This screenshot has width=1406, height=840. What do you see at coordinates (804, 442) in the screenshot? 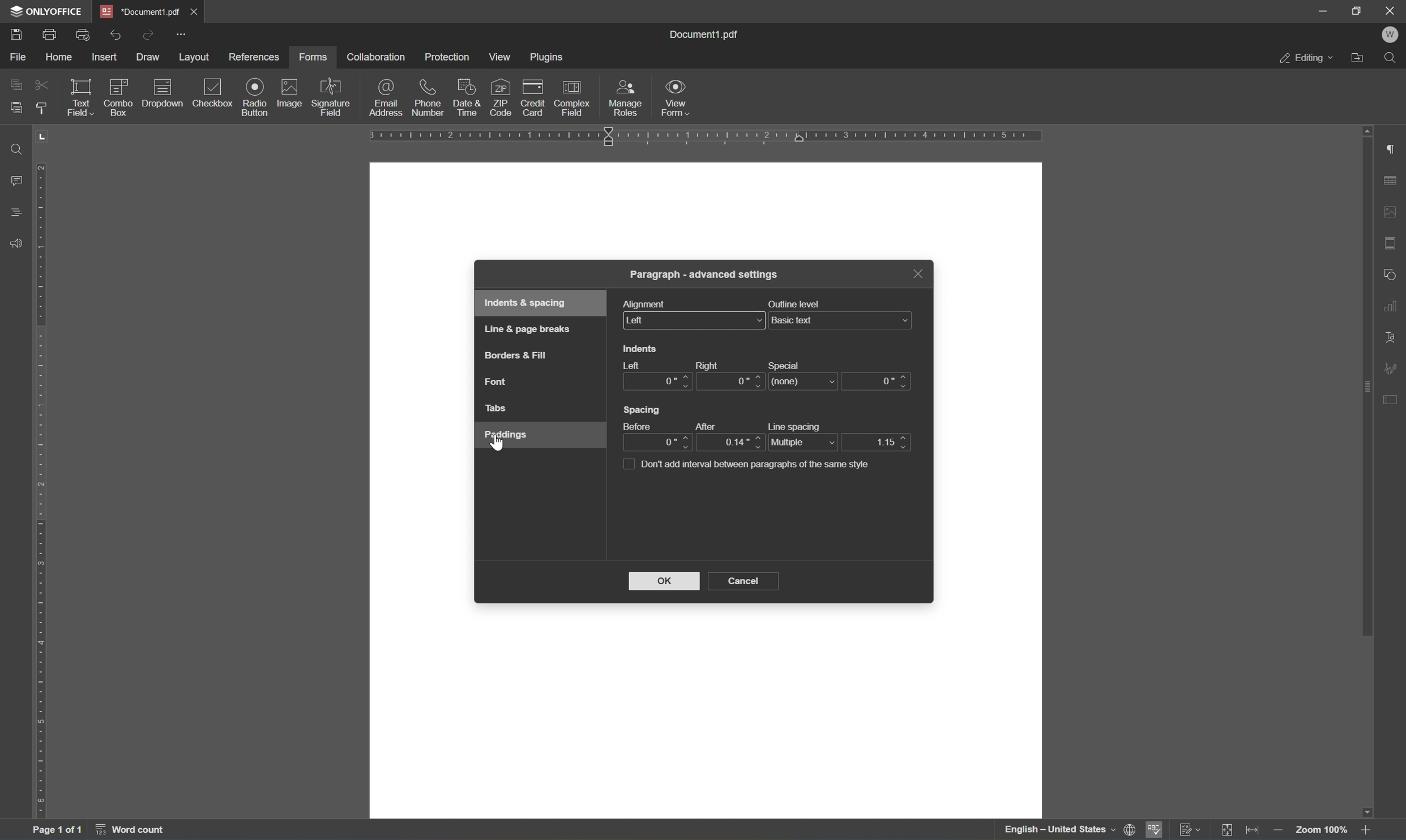
I see `multiple` at bounding box center [804, 442].